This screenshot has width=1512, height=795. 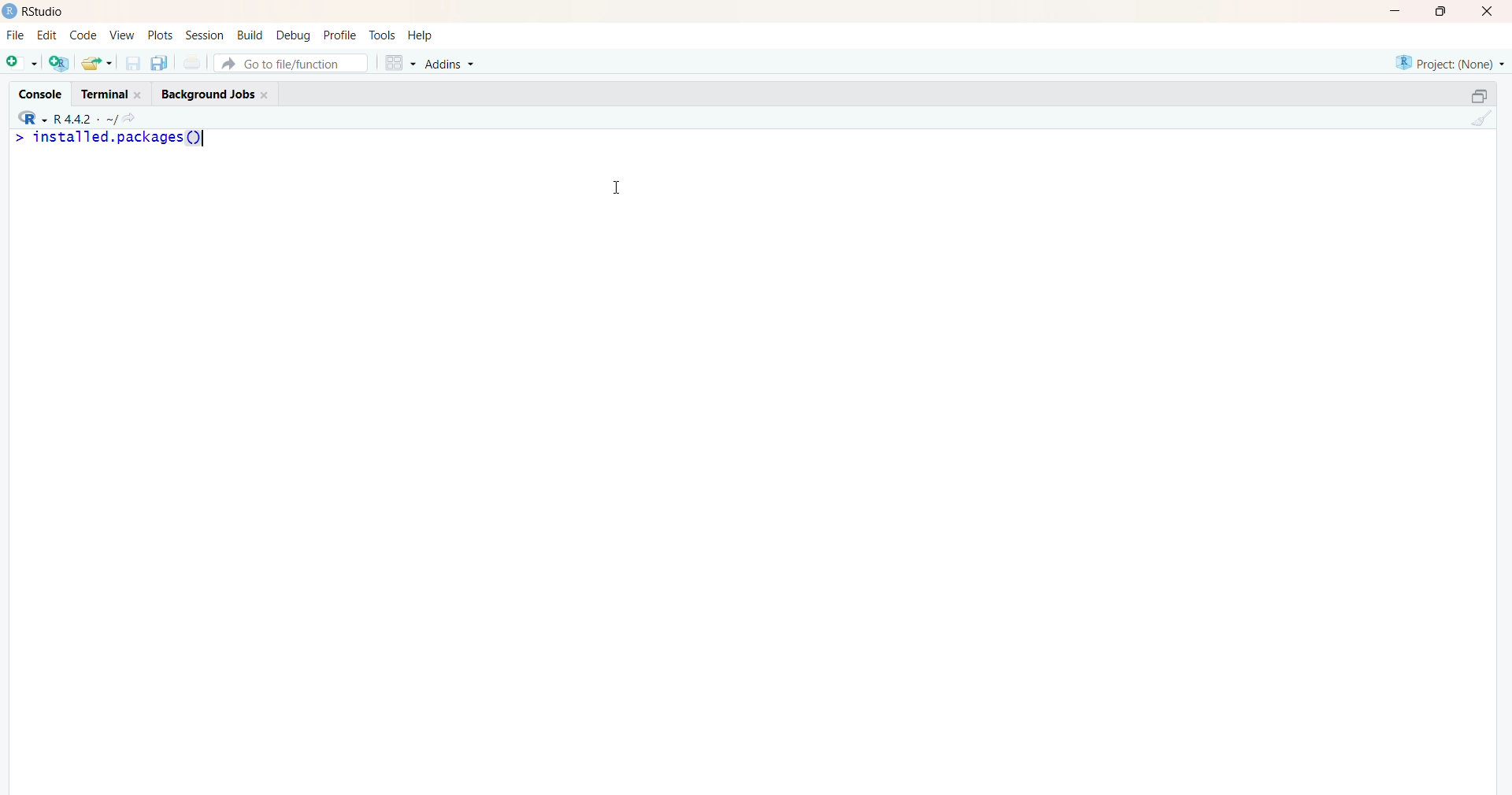 I want to click on print the current file, so click(x=193, y=64).